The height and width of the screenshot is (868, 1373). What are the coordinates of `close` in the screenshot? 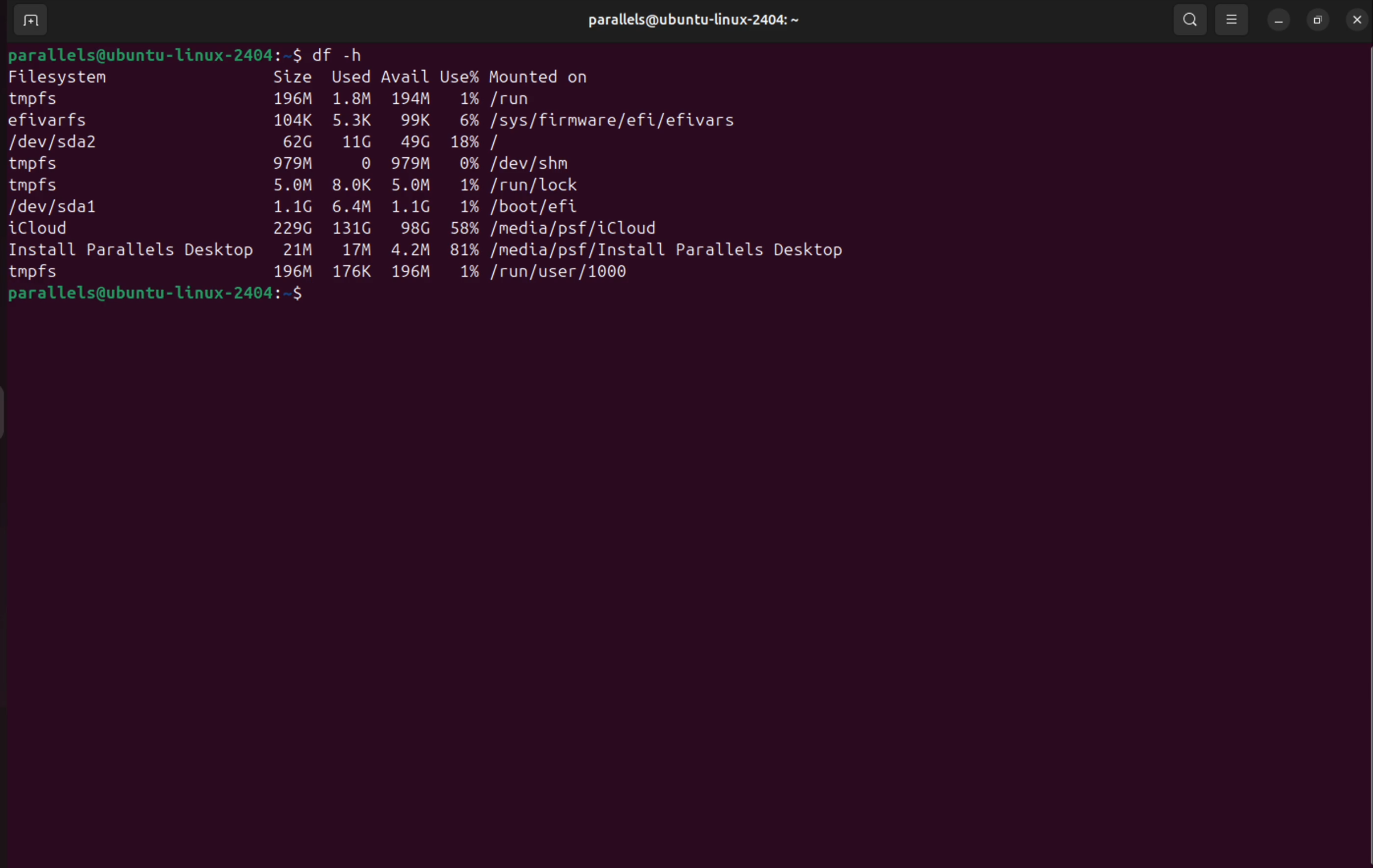 It's located at (1358, 19).